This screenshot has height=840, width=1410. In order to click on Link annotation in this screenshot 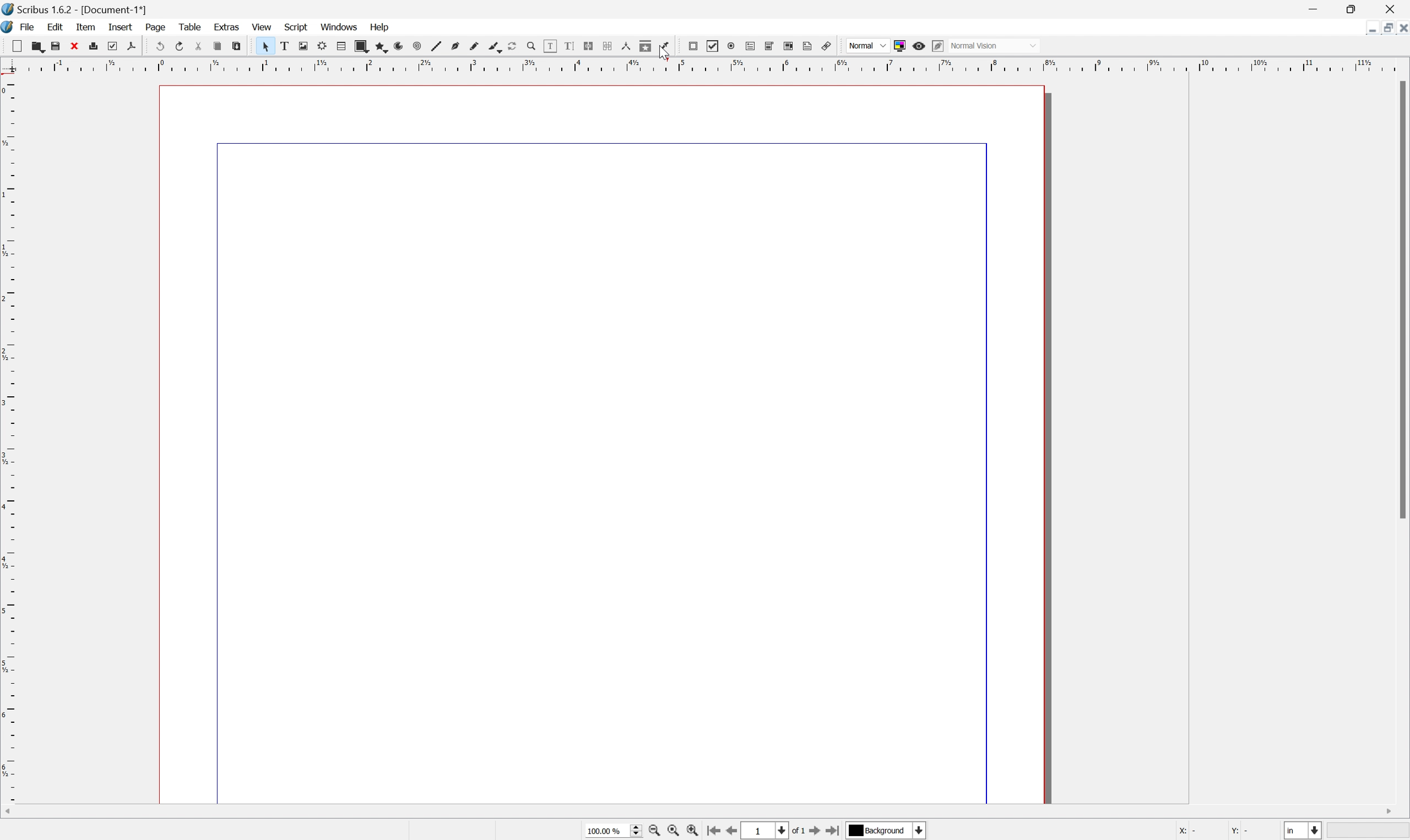, I will do `click(828, 46)`.